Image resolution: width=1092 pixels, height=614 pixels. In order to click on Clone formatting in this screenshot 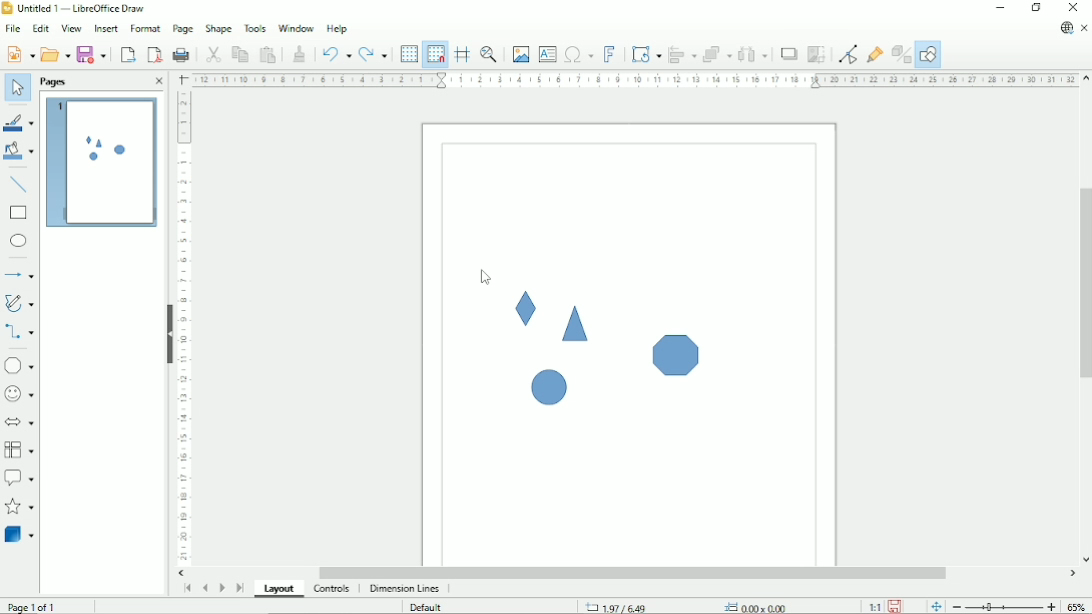, I will do `click(300, 53)`.